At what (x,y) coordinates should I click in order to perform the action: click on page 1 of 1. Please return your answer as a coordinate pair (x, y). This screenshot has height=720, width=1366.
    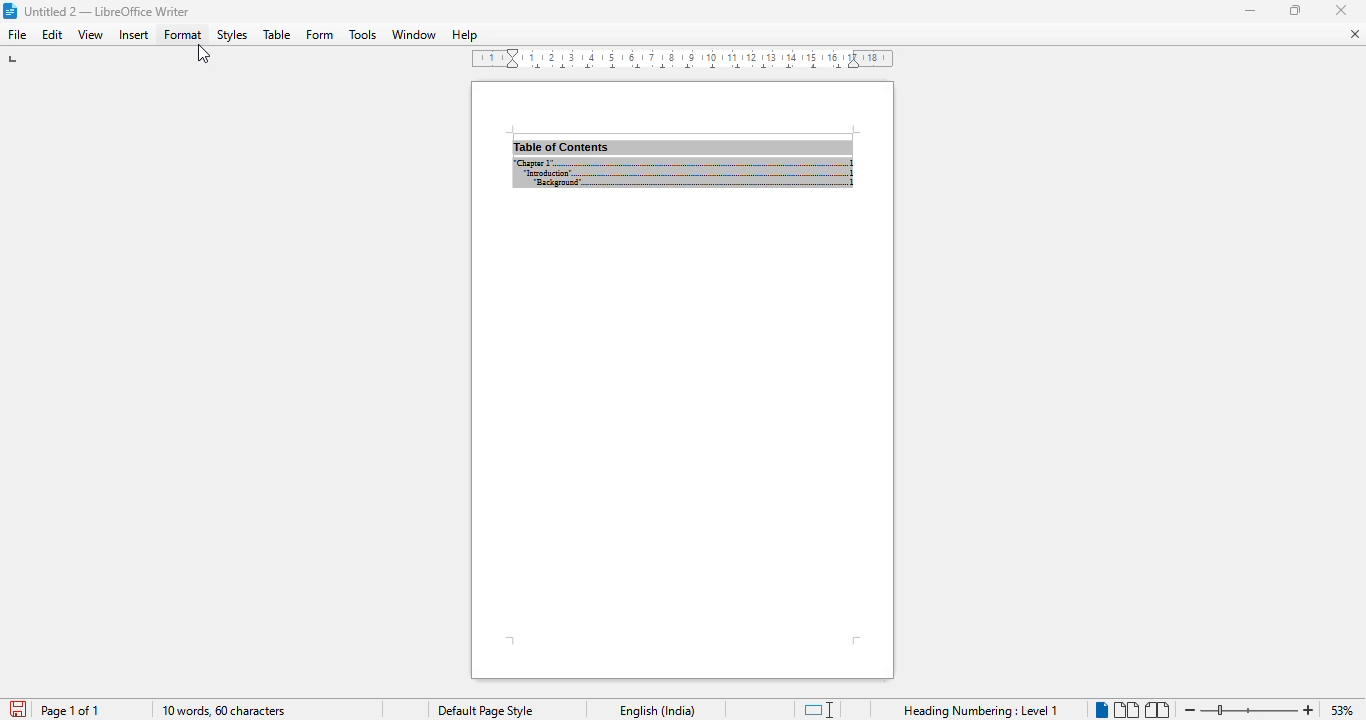
    Looking at the image, I should click on (70, 711).